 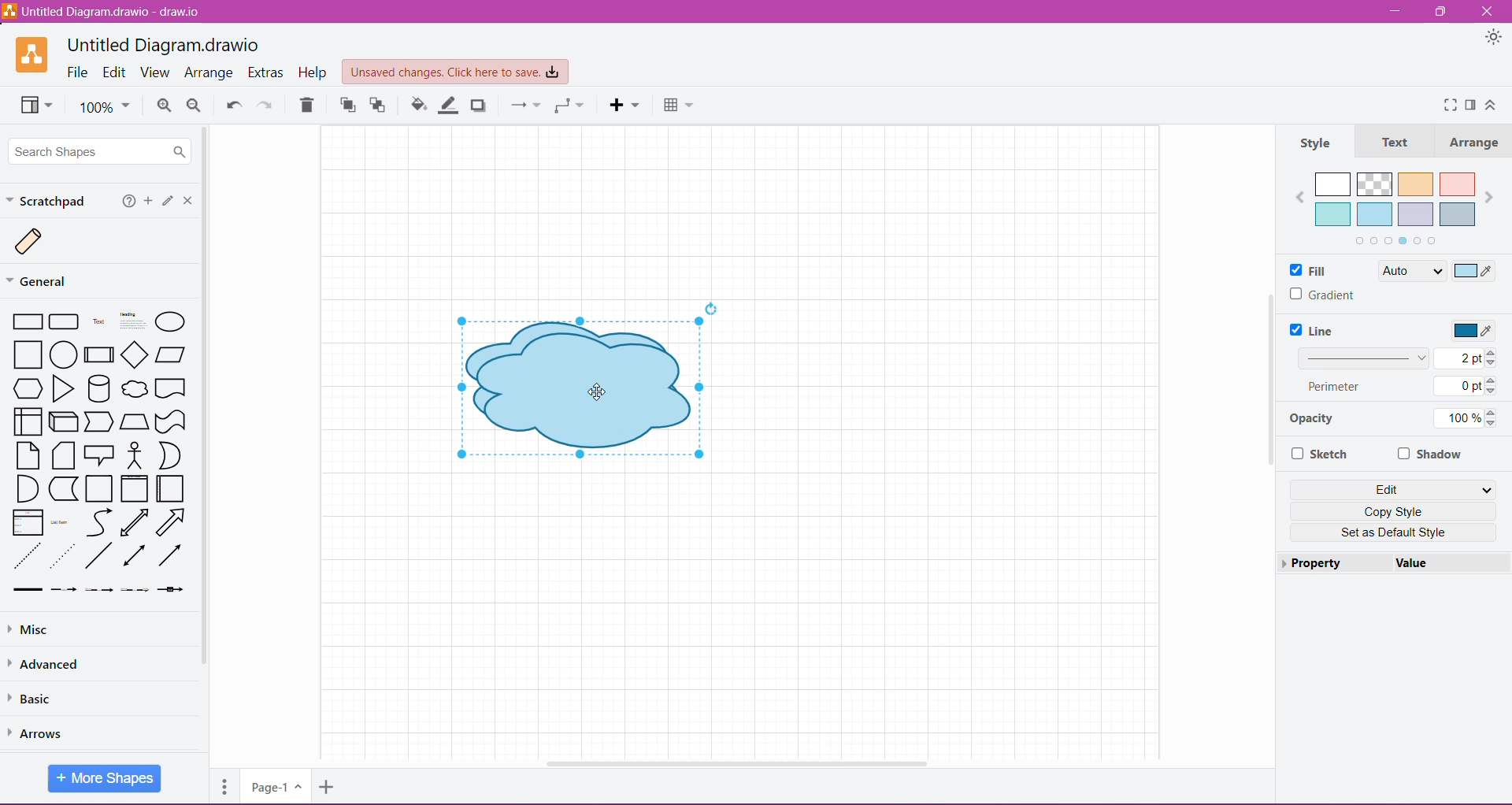 I want to click on To Front, so click(x=346, y=106).